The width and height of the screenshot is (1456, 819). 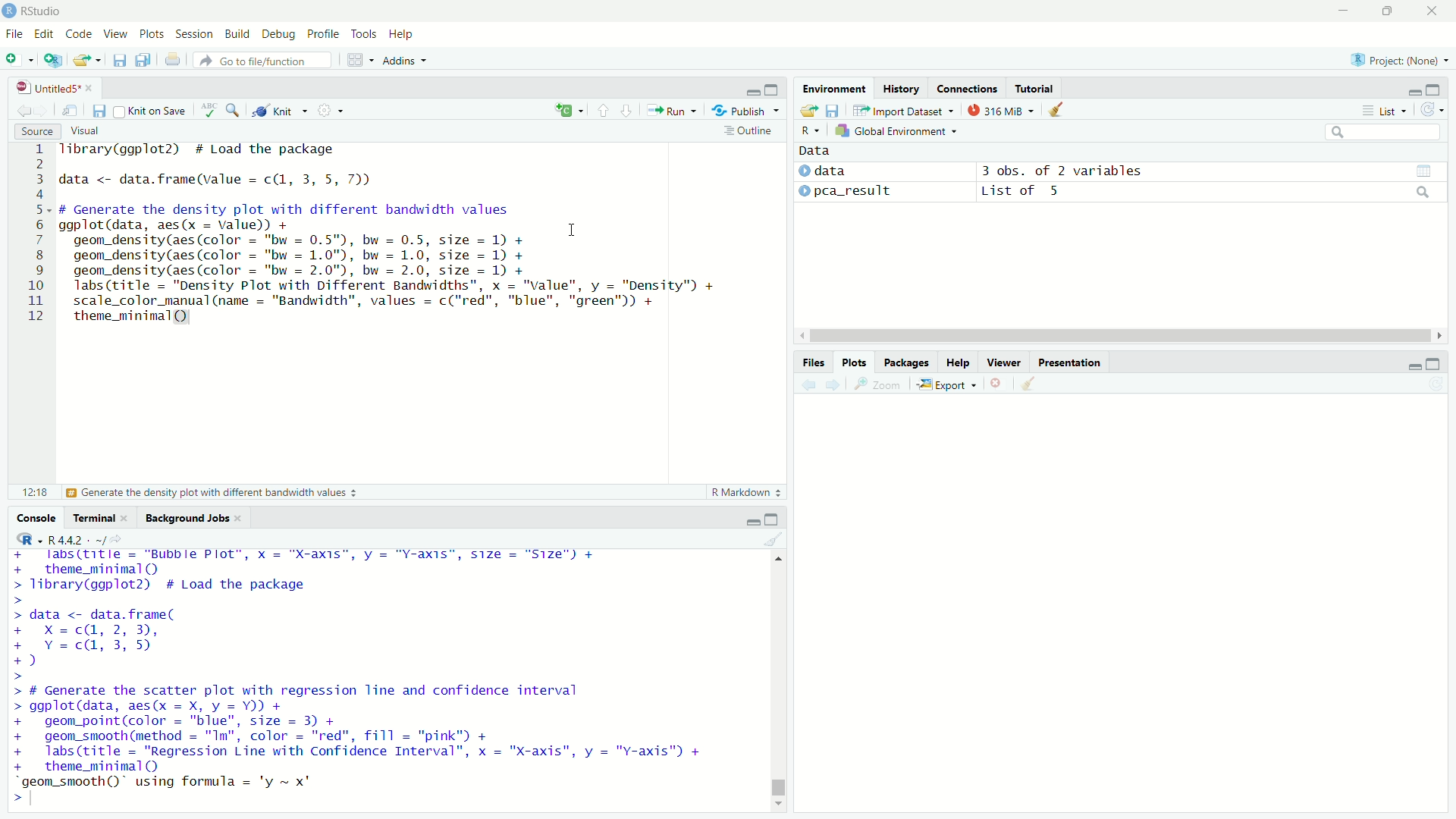 I want to click on vertical scroll bar, so click(x=779, y=679).